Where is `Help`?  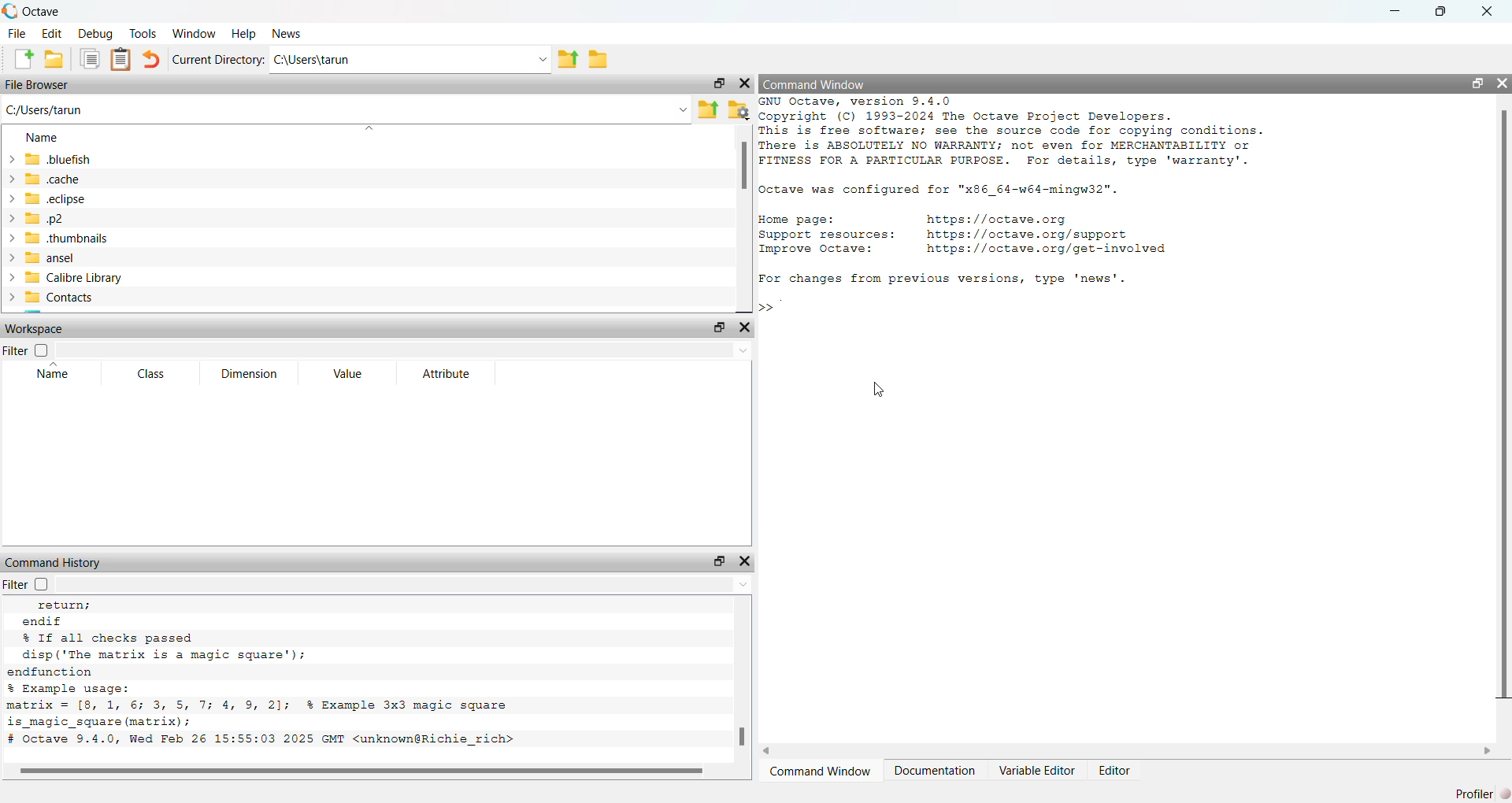 Help is located at coordinates (246, 33).